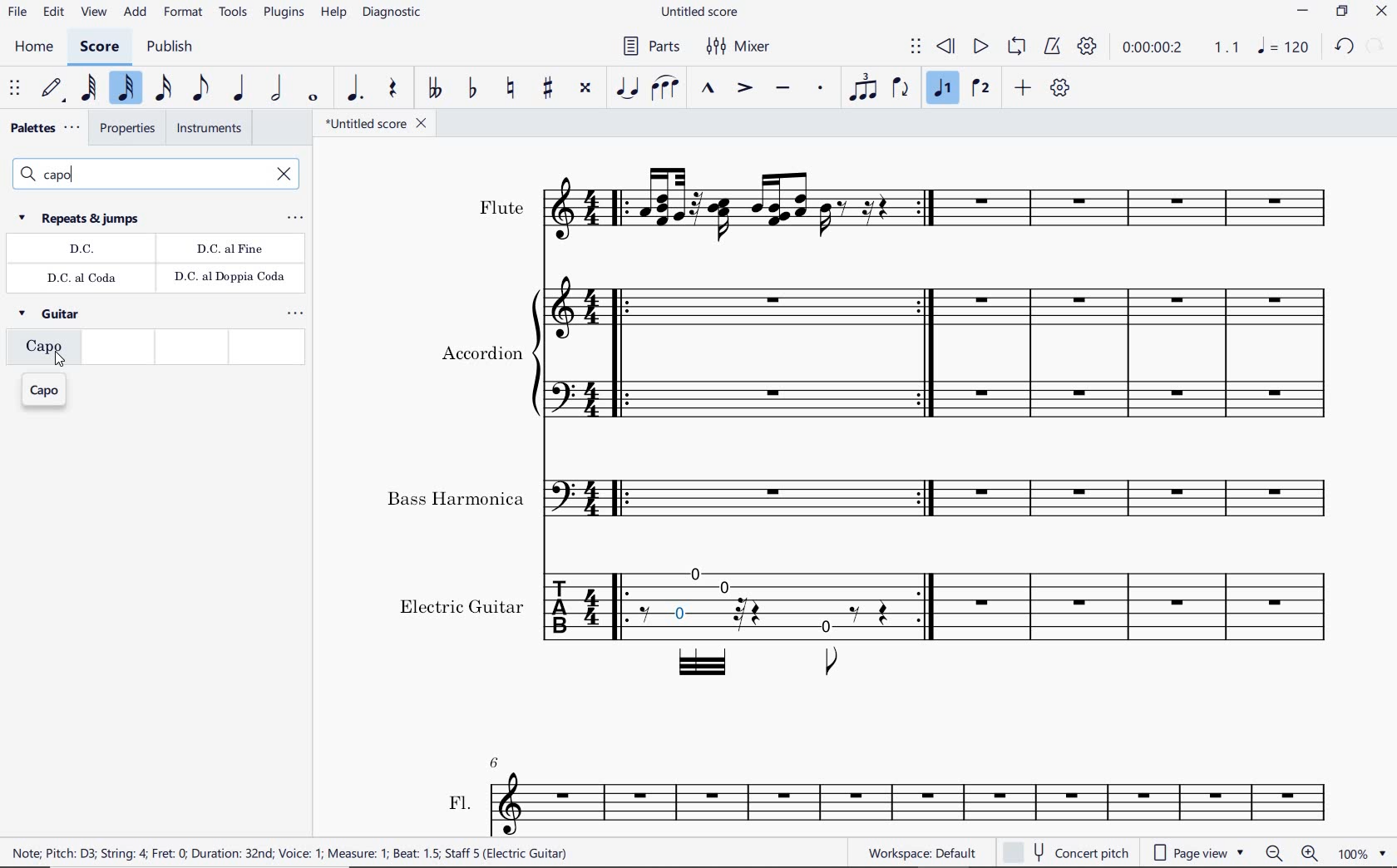 This screenshot has width=1397, height=868. I want to click on tenuto, so click(784, 89).